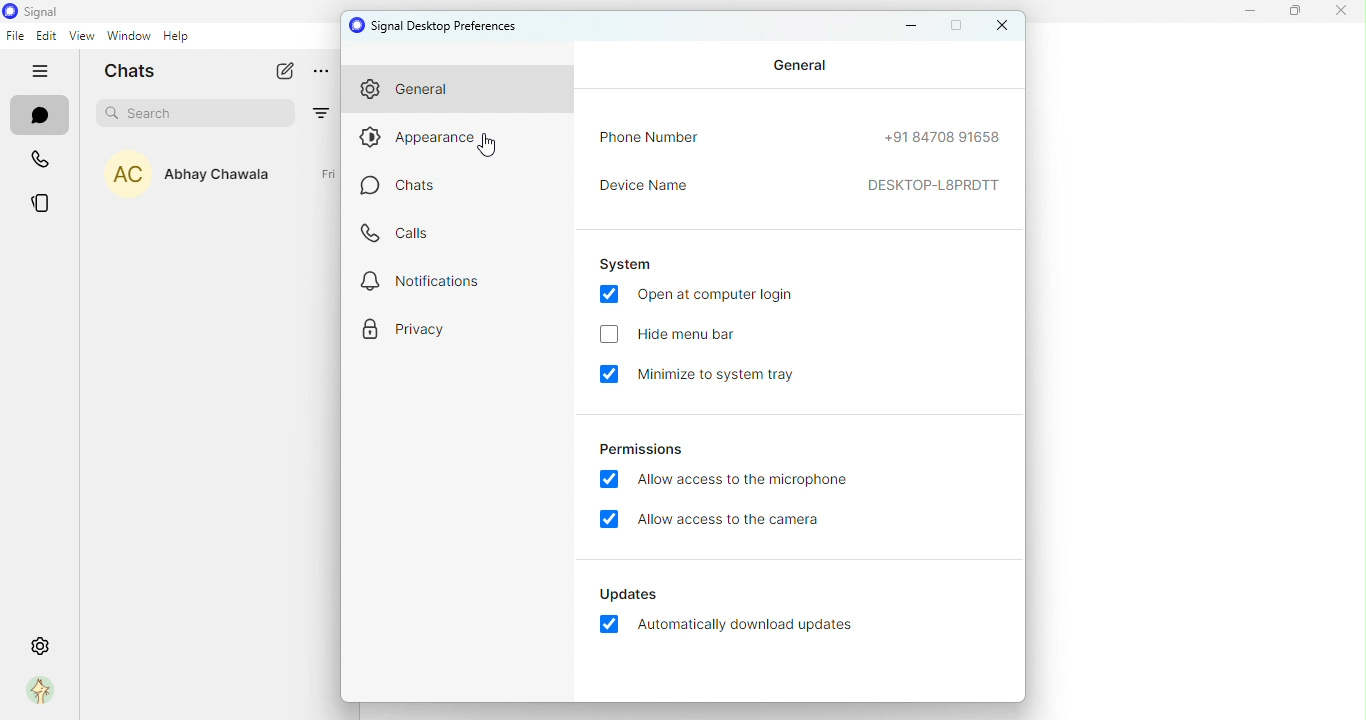  What do you see at coordinates (1345, 14) in the screenshot?
I see `close` at bounding box center [1345, 14].